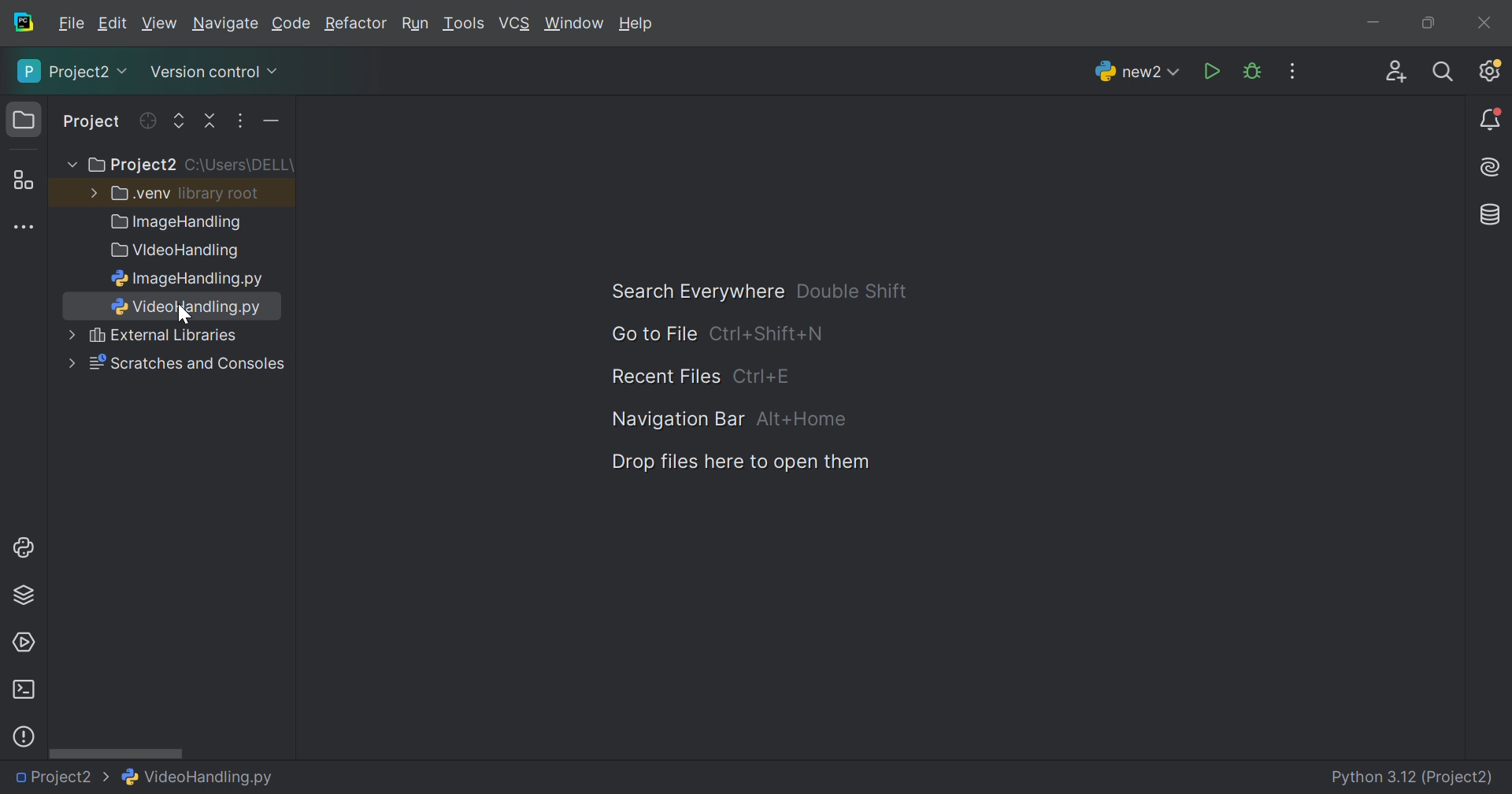  Describe the element at coordinates (62, 777) in the screenshot. I see `Project2` at that location.